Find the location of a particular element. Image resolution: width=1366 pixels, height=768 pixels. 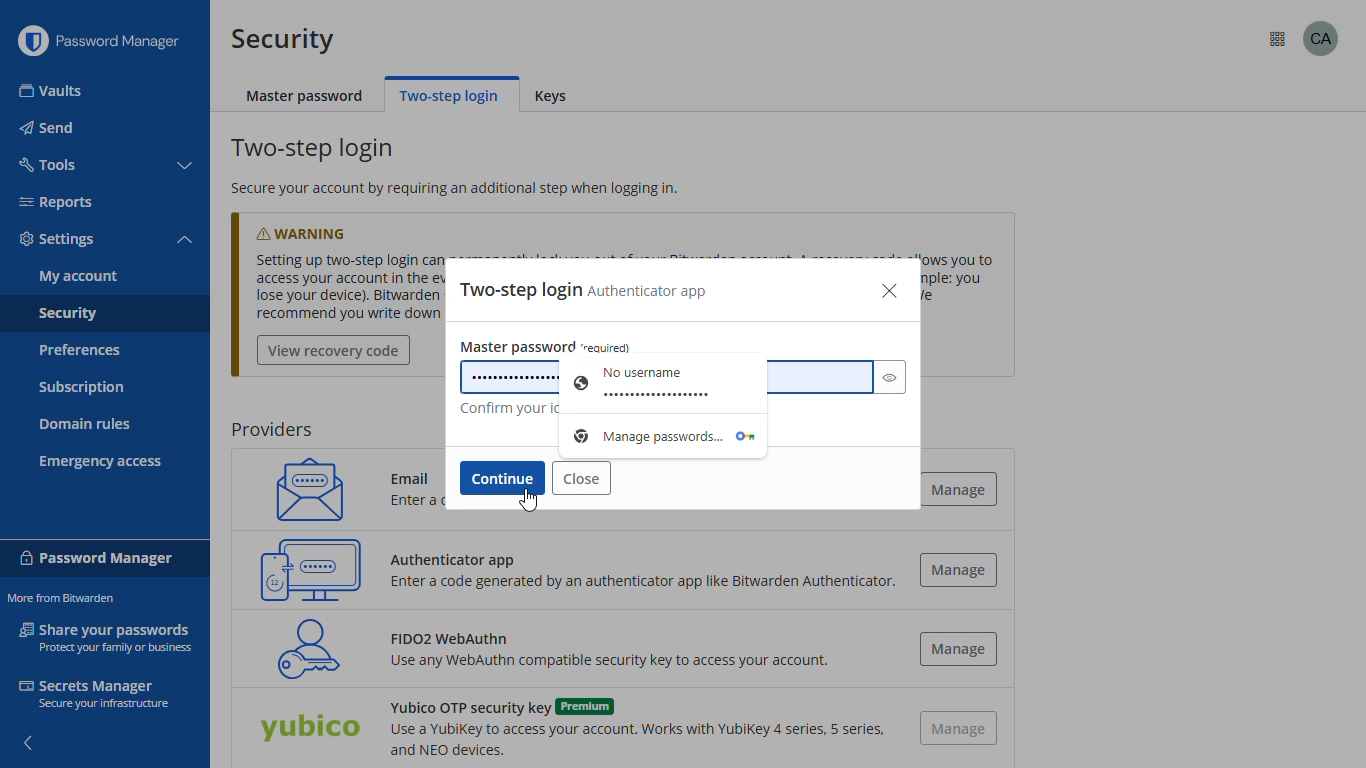

subscription is located at coordinates (82, 388).